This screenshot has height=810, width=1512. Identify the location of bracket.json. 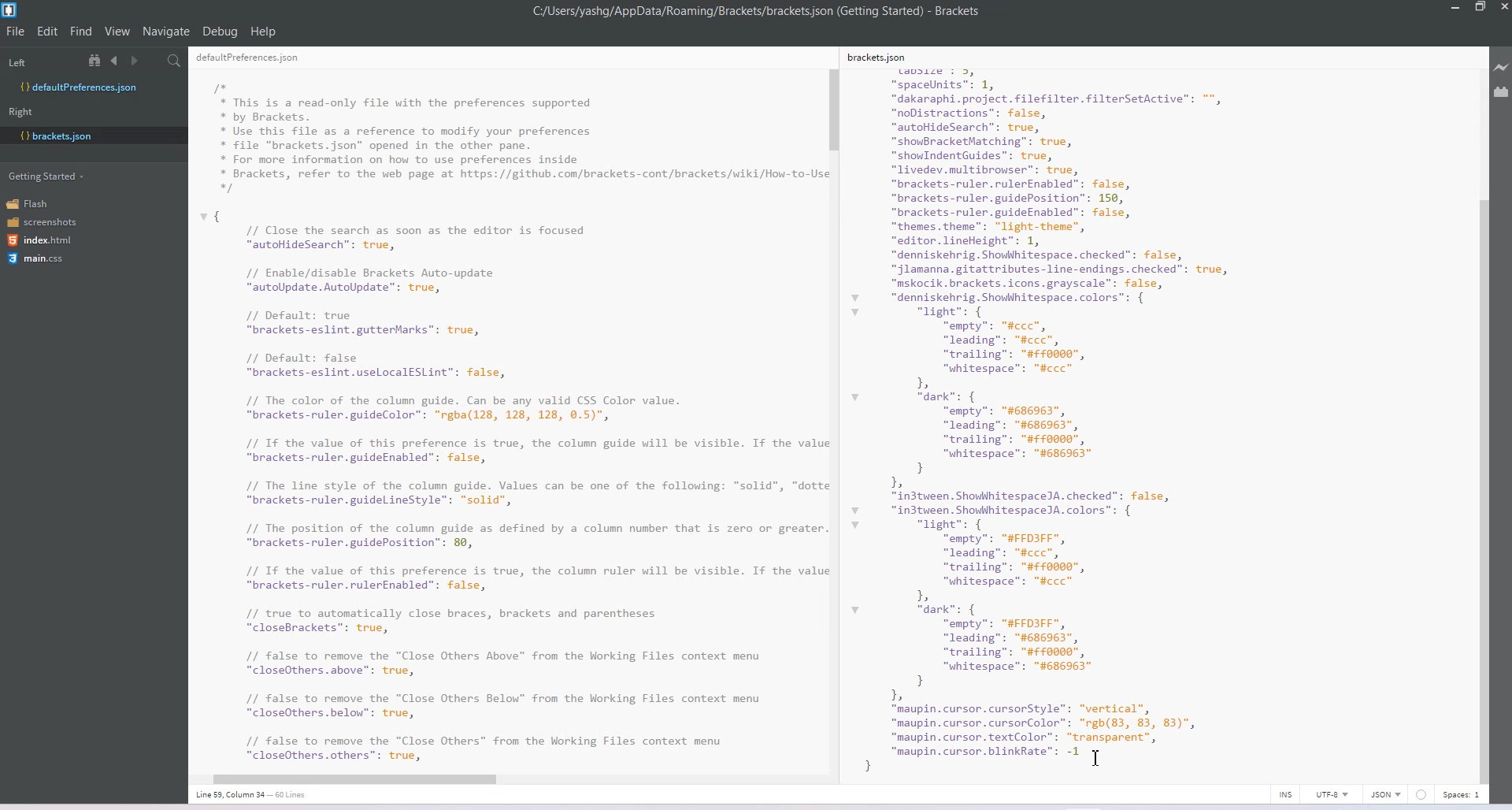
(90, 135).